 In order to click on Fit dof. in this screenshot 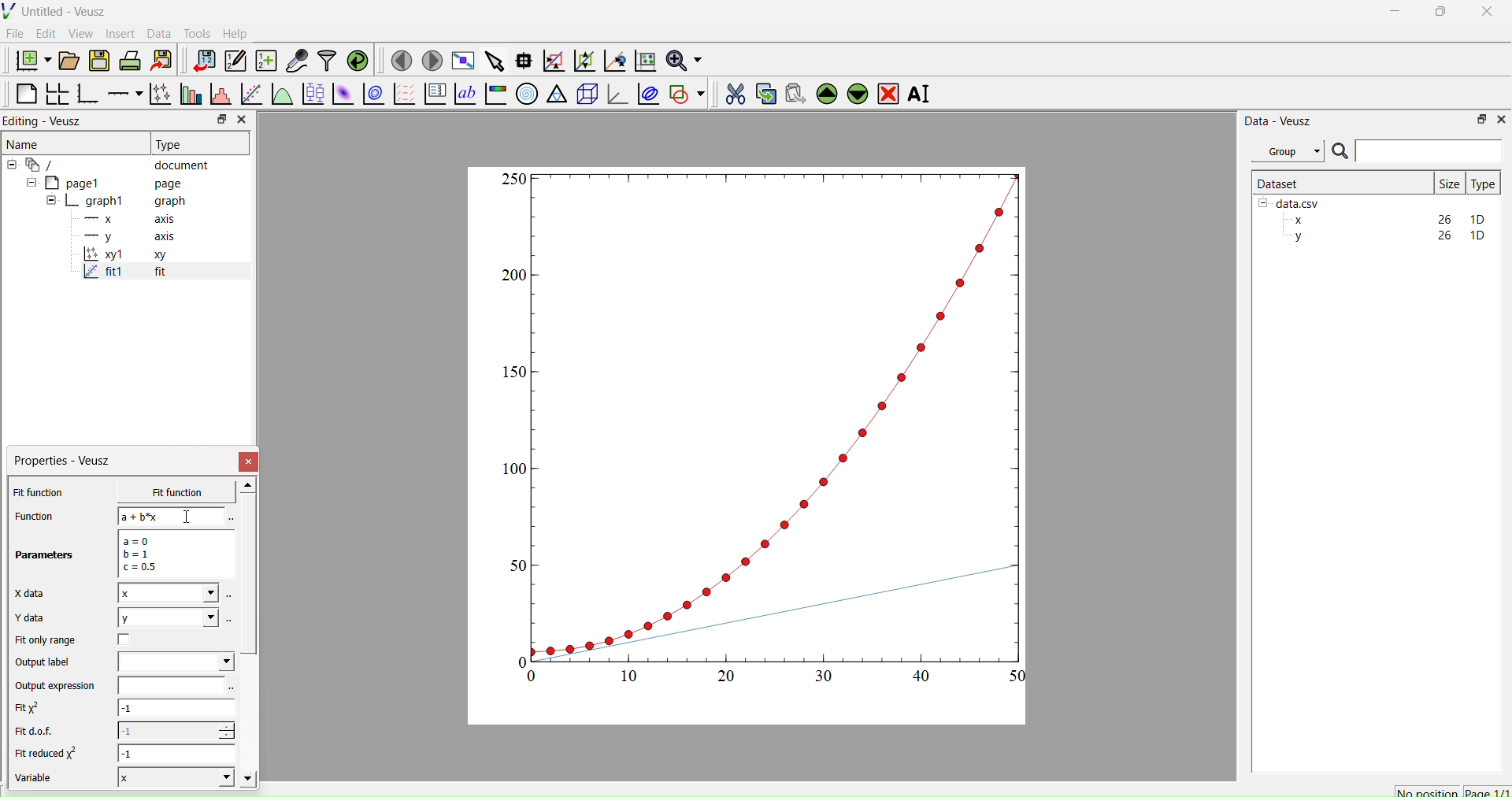, I will do `click(38, 732)`.